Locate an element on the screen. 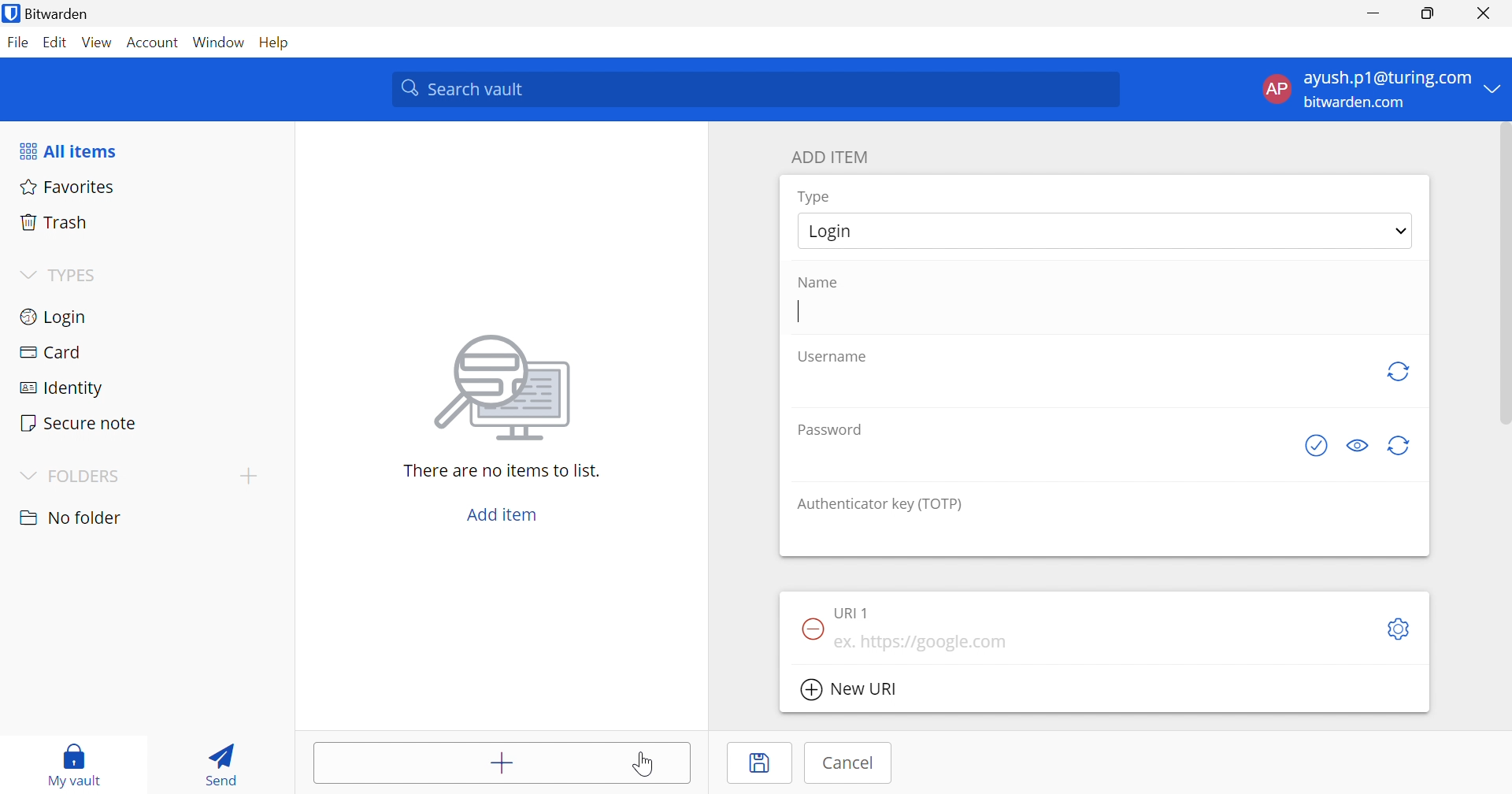 The height and width of the screenshot is (794, 1512). Add item is located at coordinates (503, 513).